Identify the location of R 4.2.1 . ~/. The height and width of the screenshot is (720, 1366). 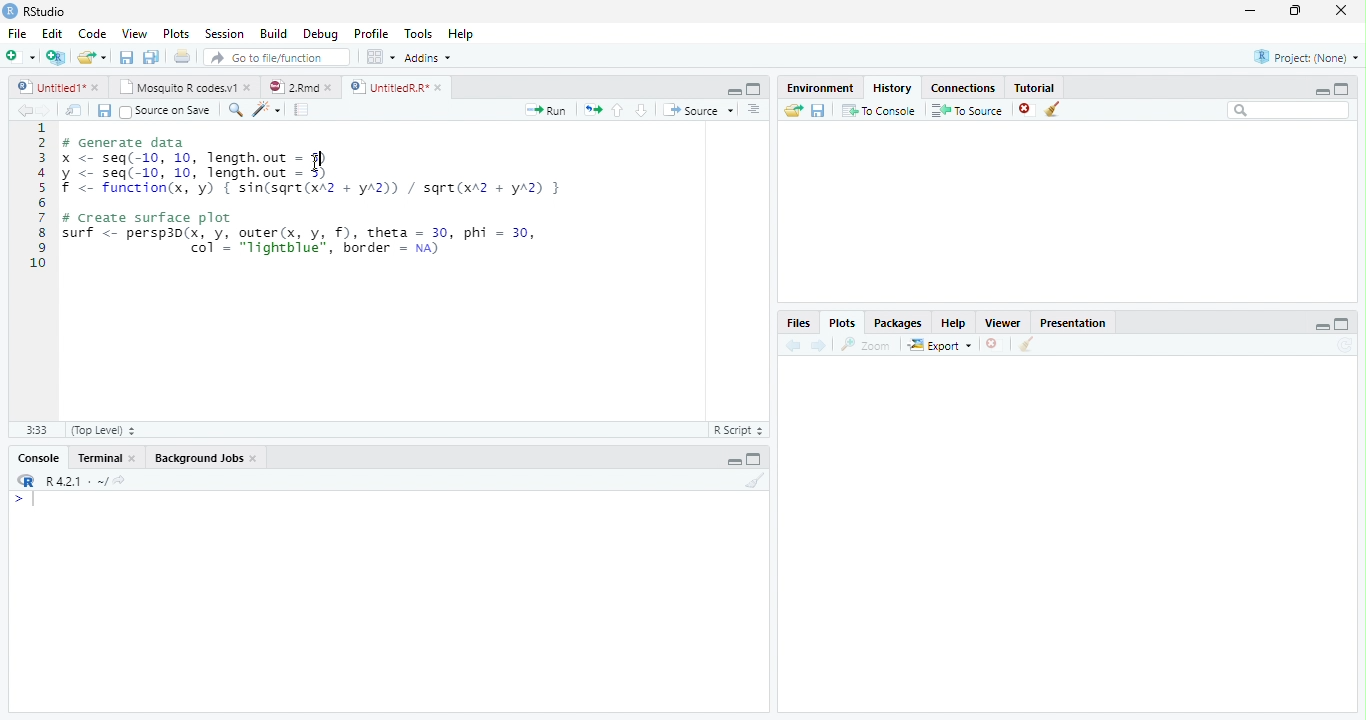
(76, 480).